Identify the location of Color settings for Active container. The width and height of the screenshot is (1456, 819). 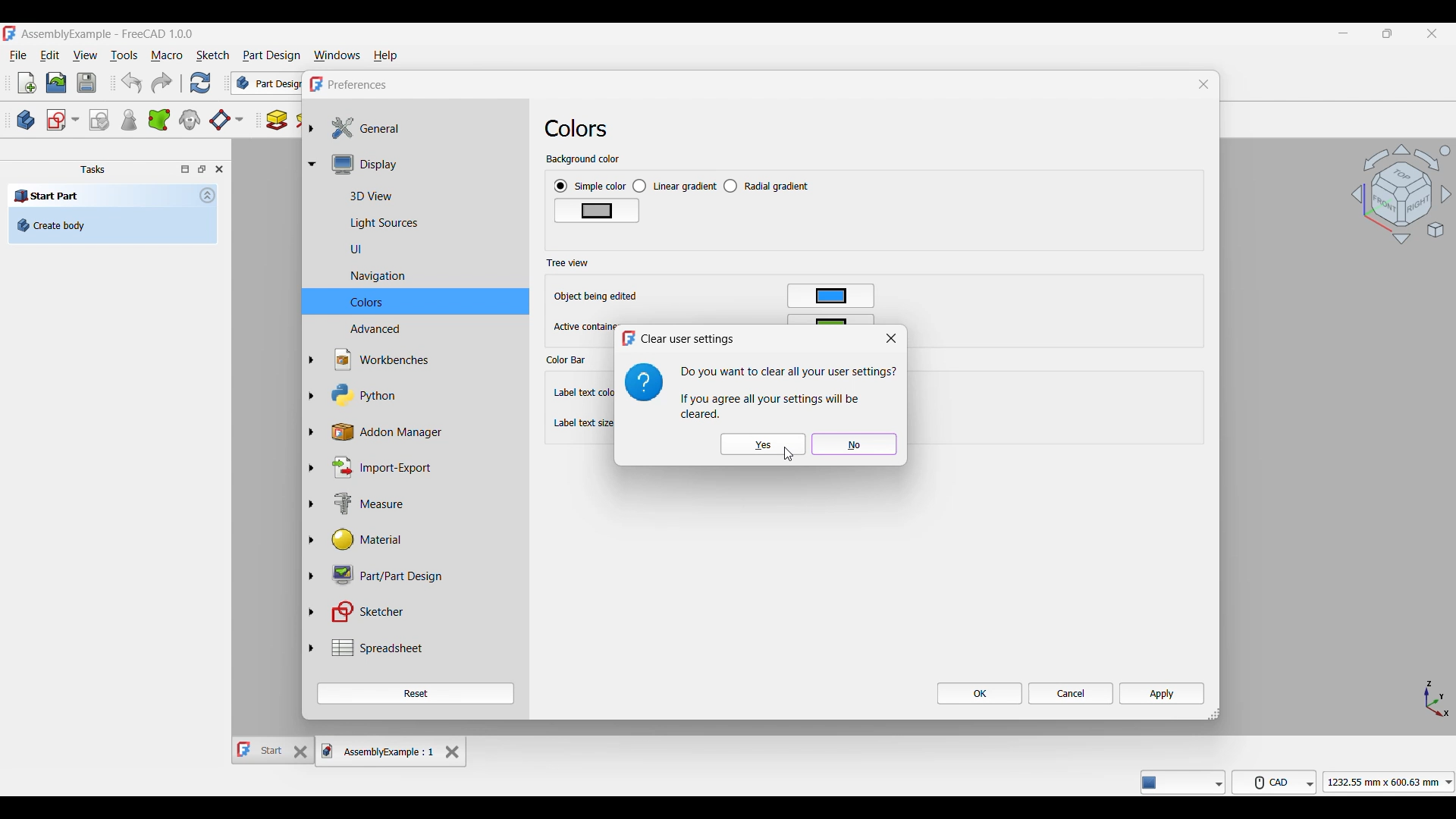
(831, 319).